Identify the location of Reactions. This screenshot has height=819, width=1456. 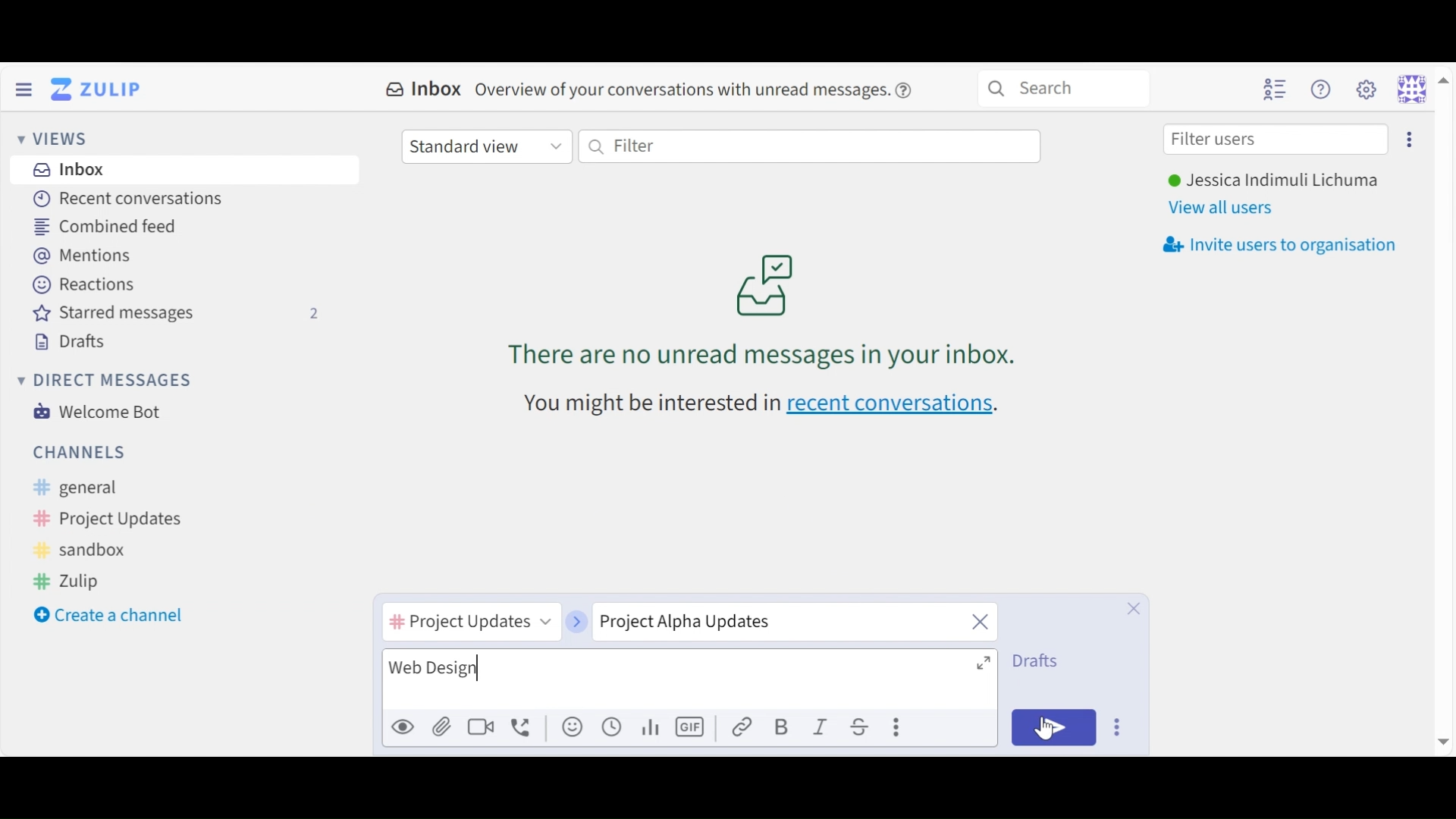
(83, 283).